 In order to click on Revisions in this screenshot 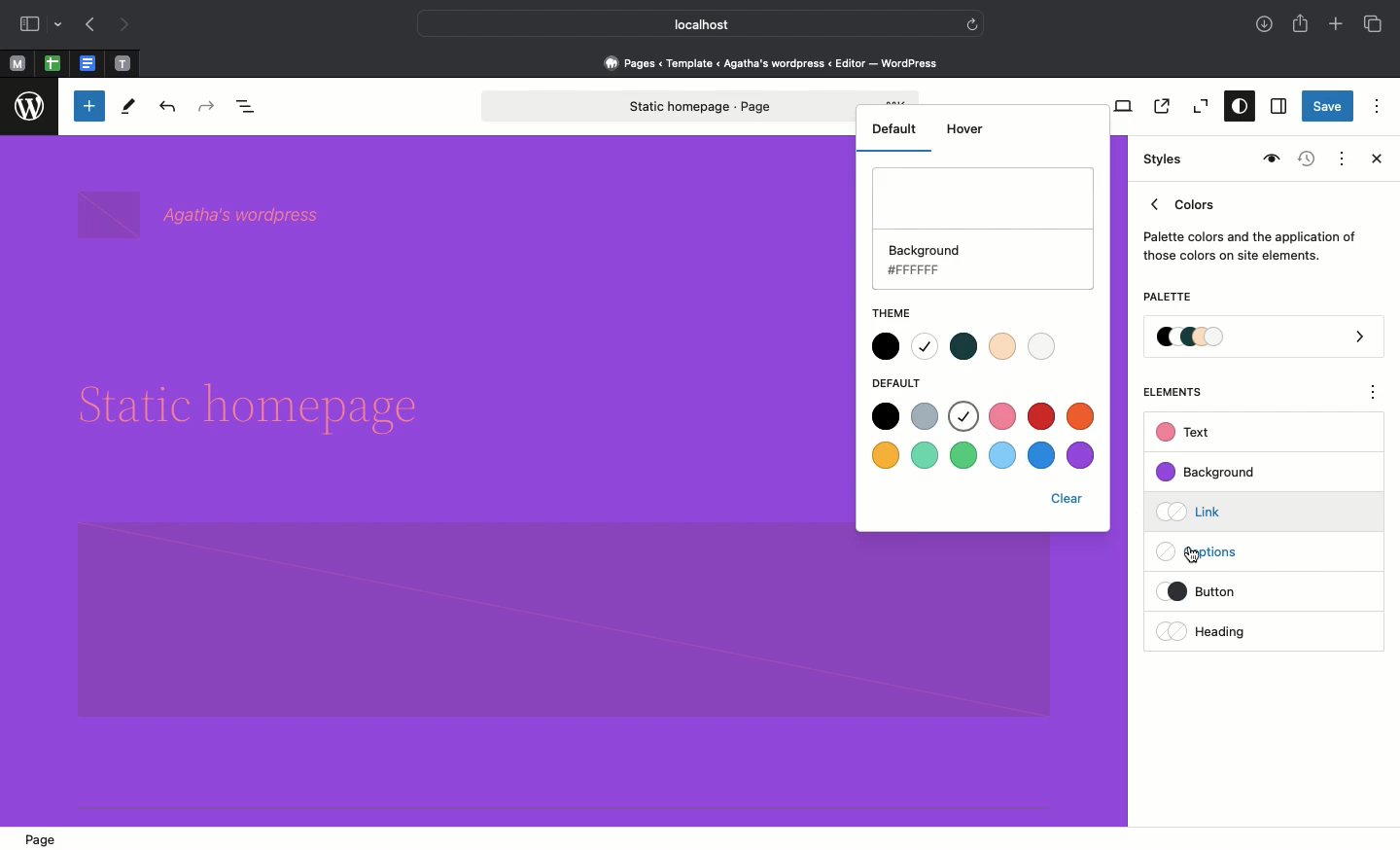, I will do `click(1304, 160)`.